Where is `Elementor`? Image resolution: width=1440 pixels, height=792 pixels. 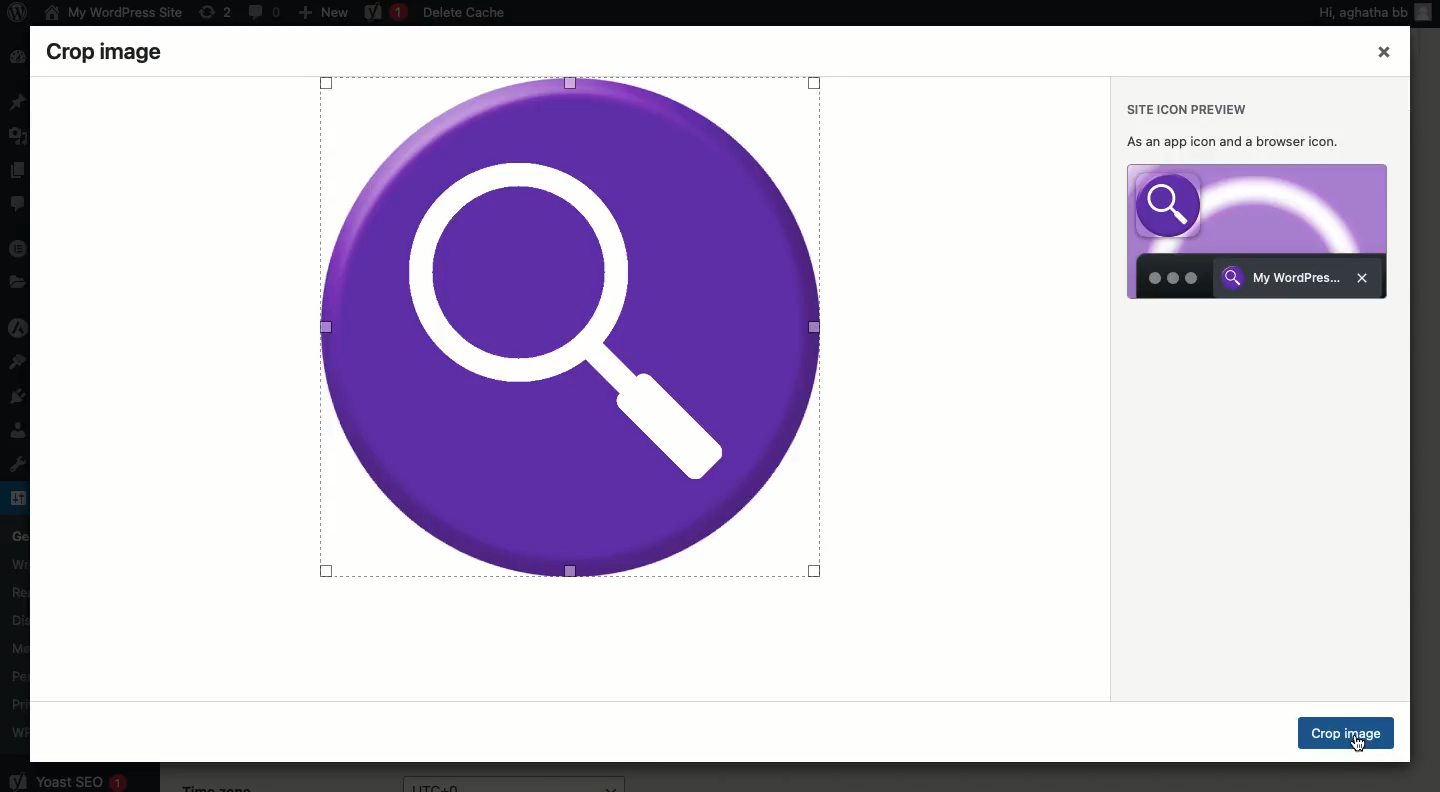
Elementor is located at coordinates (19, 247).